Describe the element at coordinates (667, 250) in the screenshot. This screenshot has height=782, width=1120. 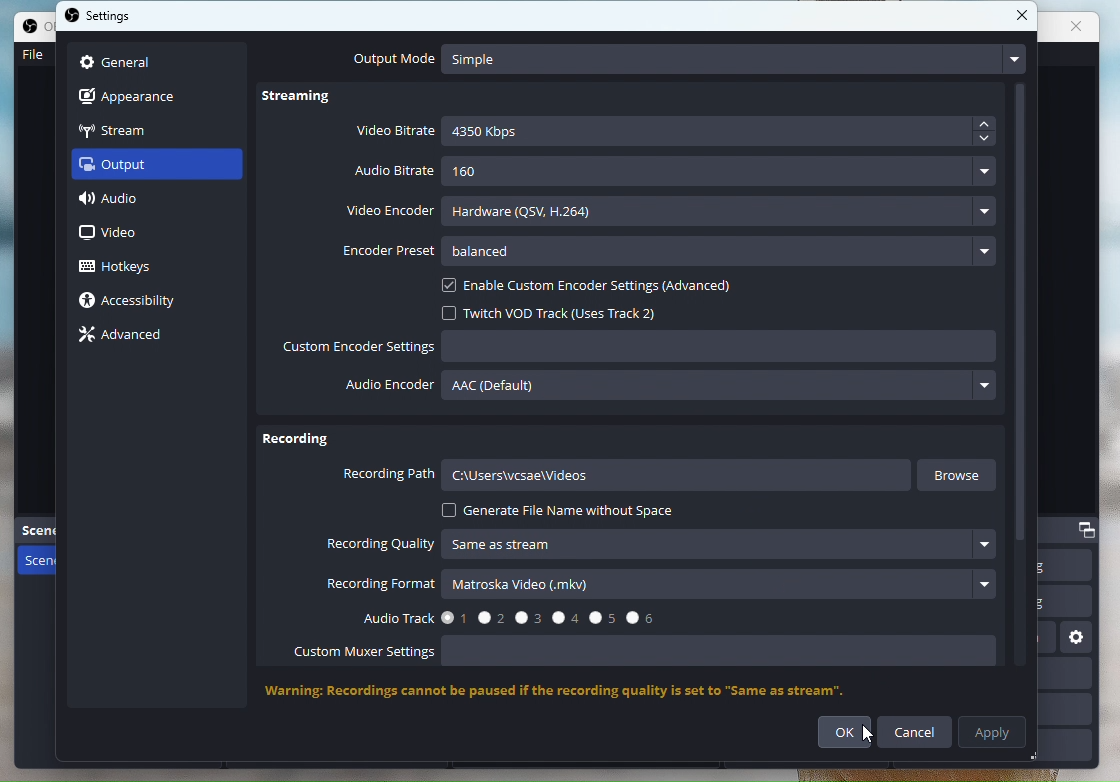
I see `Encoder preset` at that location.